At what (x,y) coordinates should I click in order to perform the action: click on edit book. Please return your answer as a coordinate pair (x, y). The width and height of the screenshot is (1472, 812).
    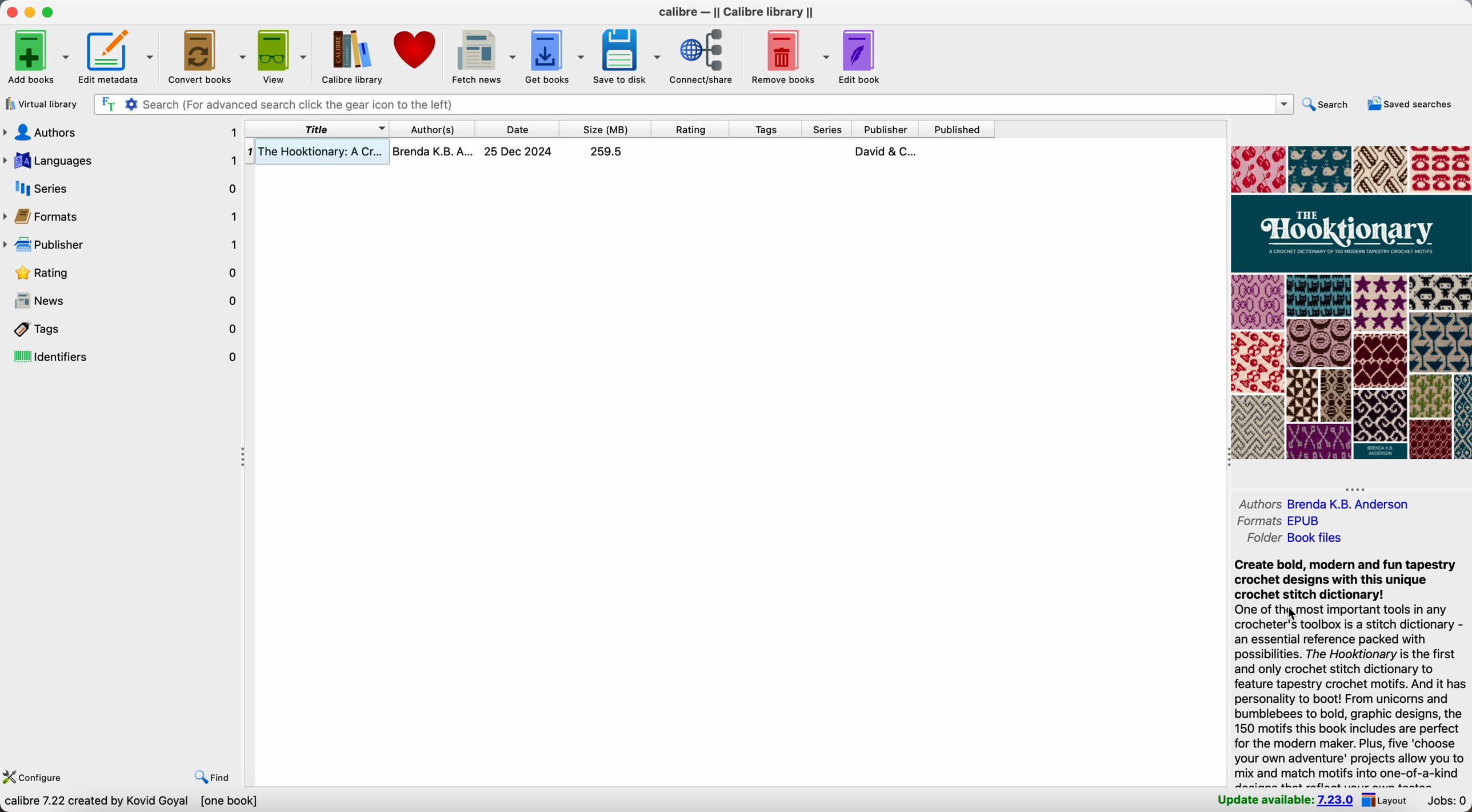
    Looking at the image, I should click on (858, 57).